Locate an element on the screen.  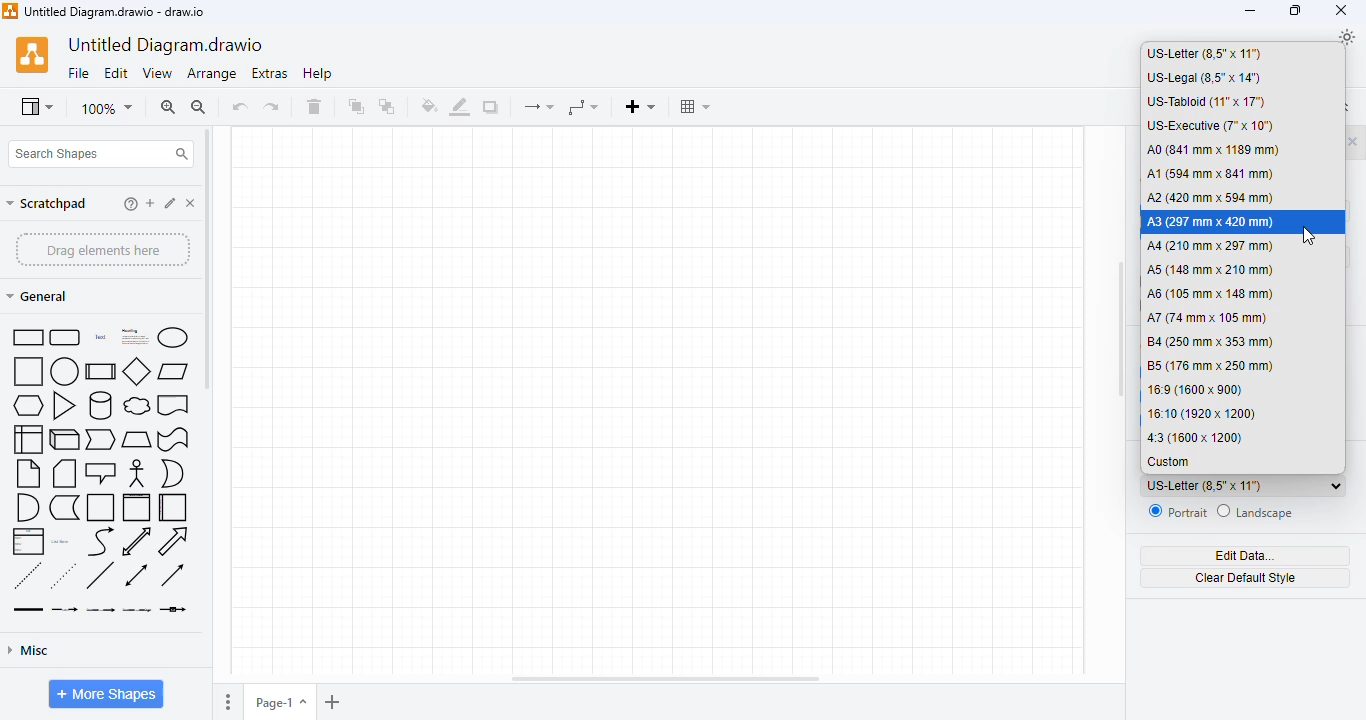
container is located at coordinates (101, 507).